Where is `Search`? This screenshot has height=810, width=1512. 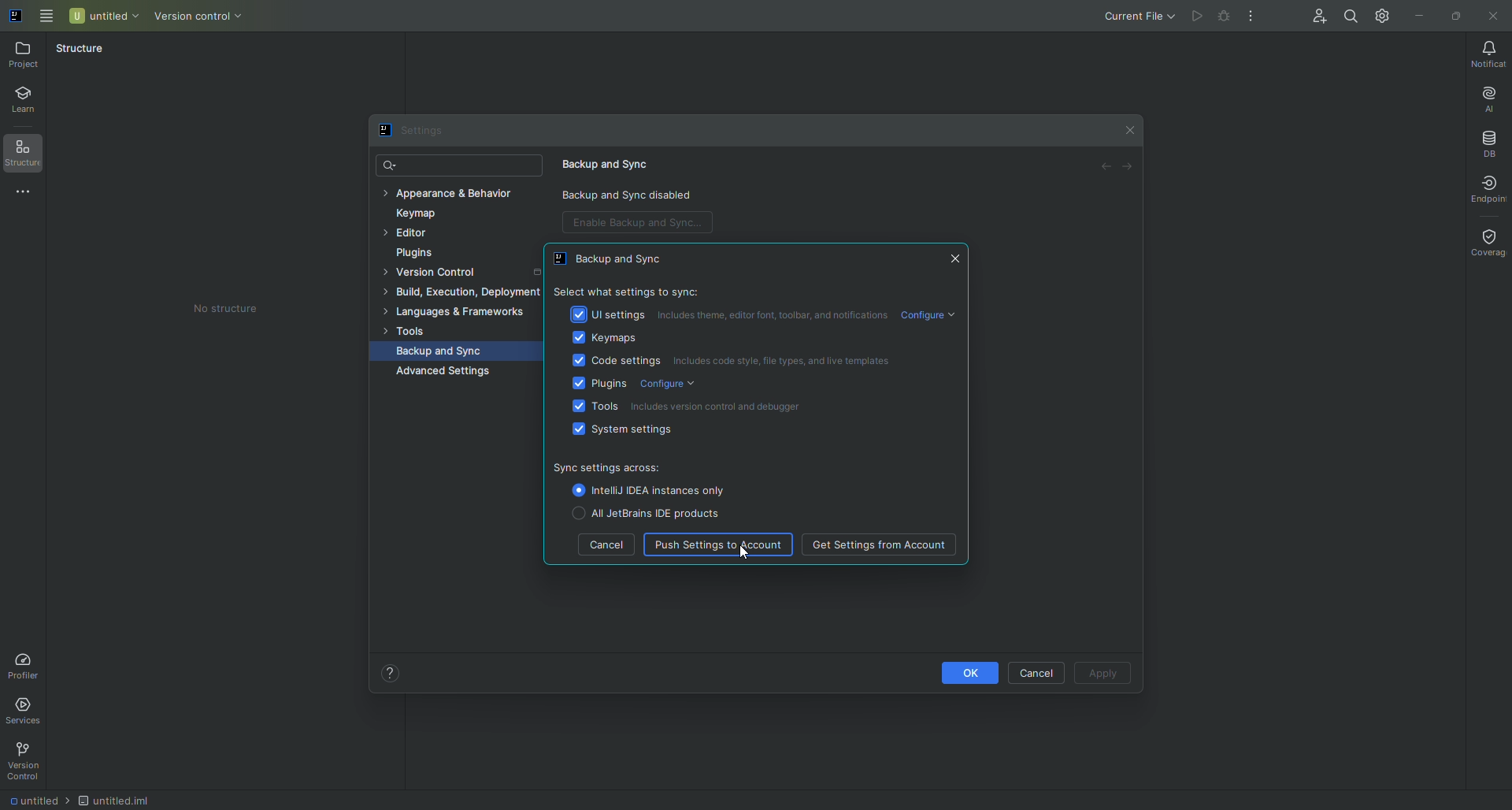 Search is located at coordinates (1349, 14).